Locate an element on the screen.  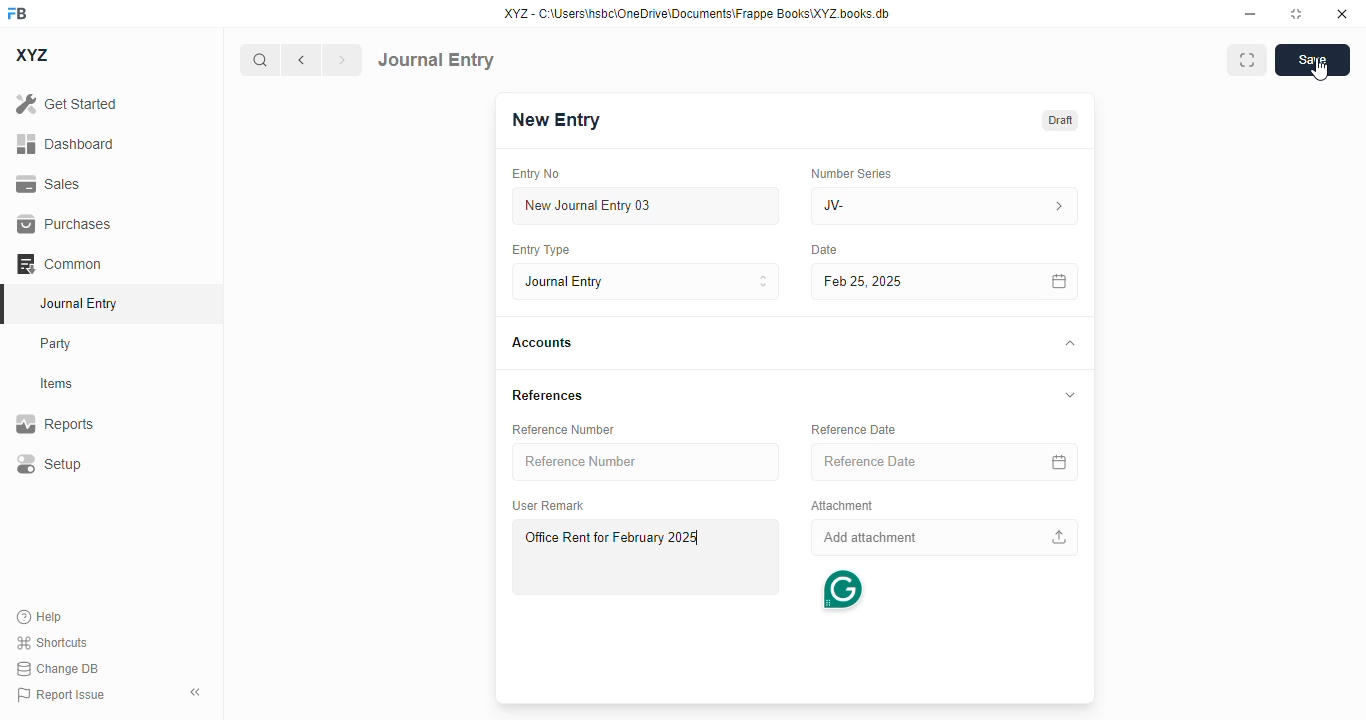
XYZ - C:\Users\hsbc\OneDrive\Documents\Frappe Books\XYZ books.db is located at coordinates (697, 13).